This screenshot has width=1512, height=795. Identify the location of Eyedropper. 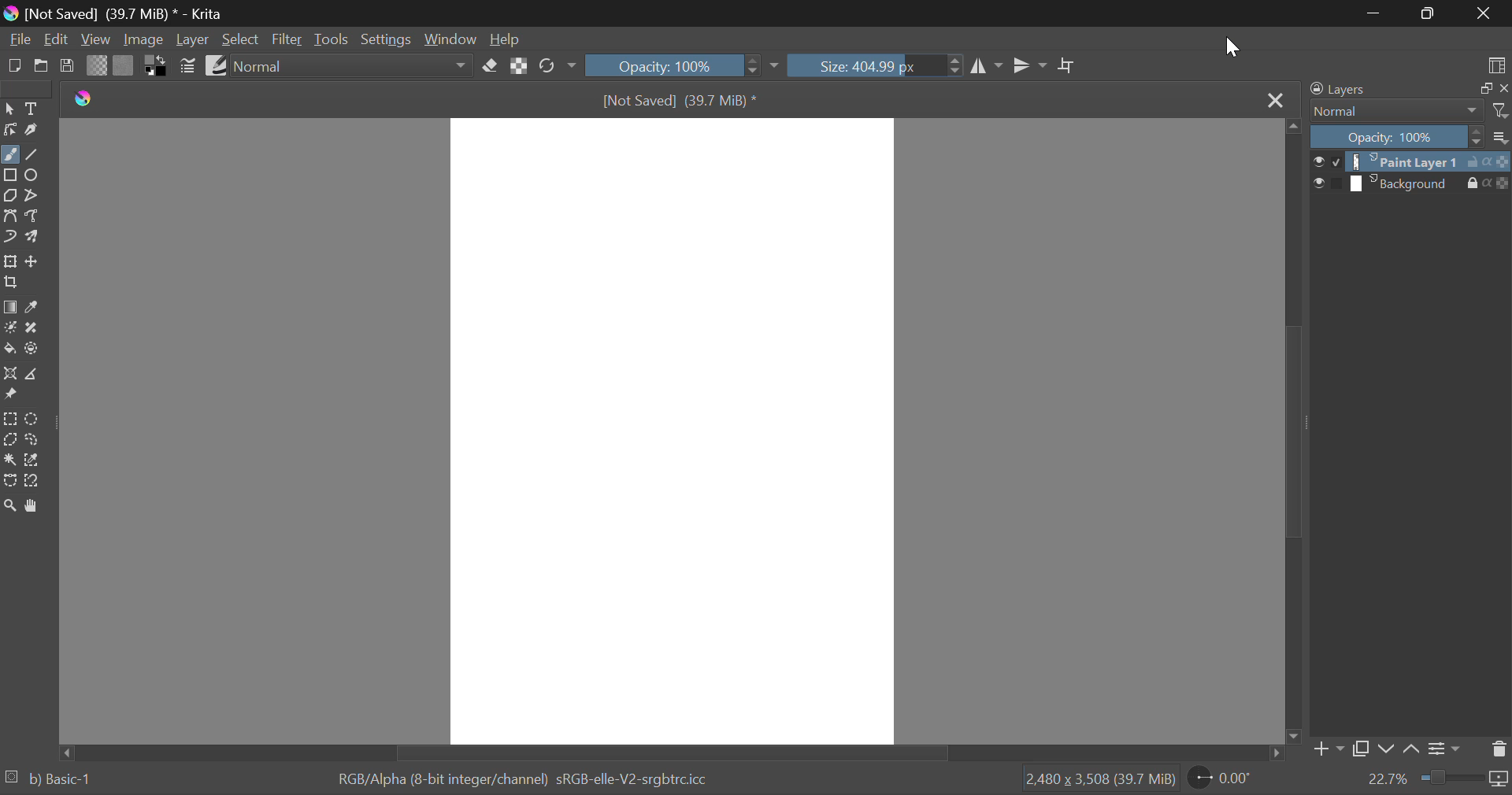
(34, 307).